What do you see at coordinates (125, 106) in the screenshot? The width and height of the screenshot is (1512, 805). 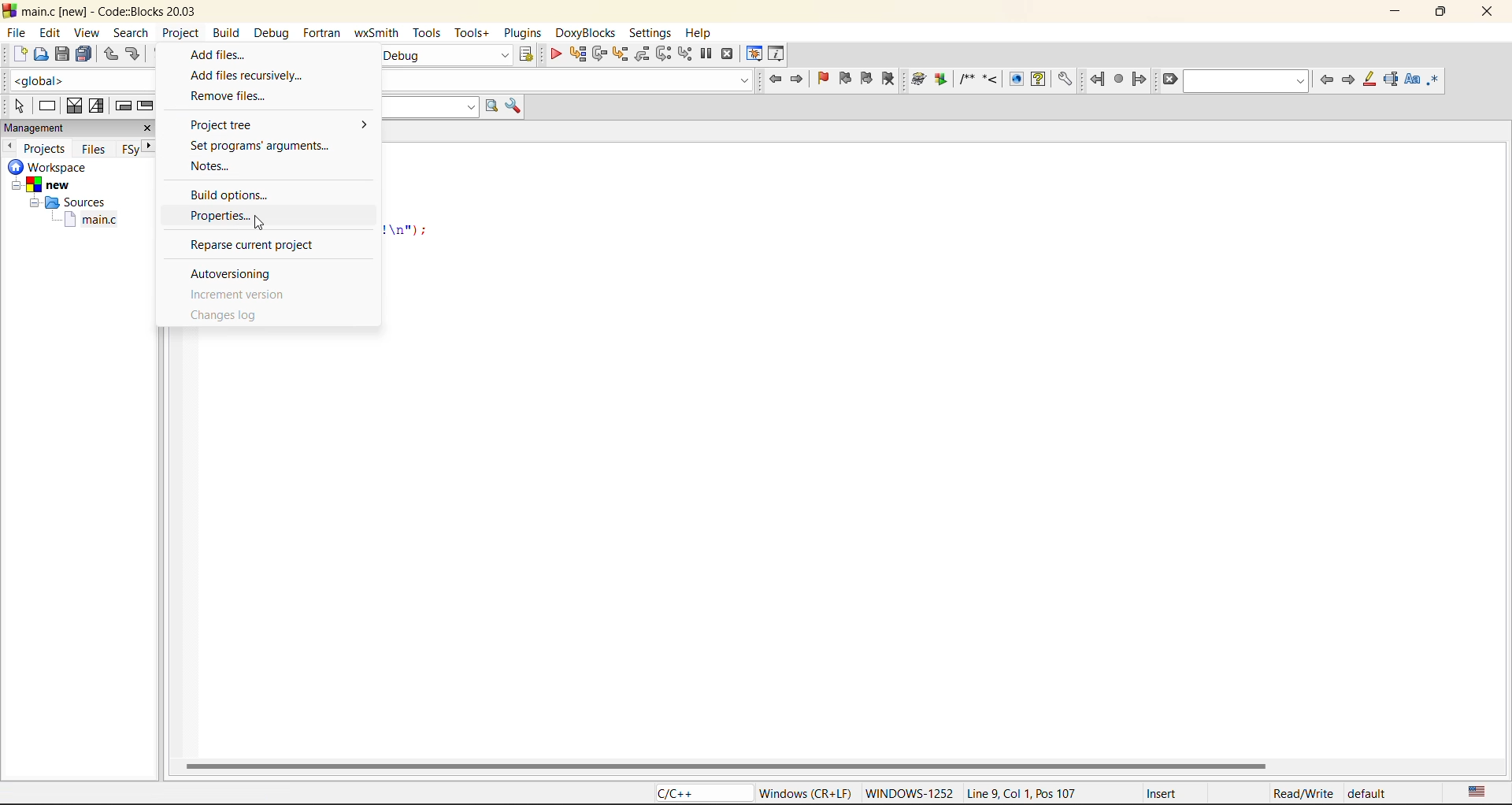 I see `entry condition loop` at bounding box center [125, 106].